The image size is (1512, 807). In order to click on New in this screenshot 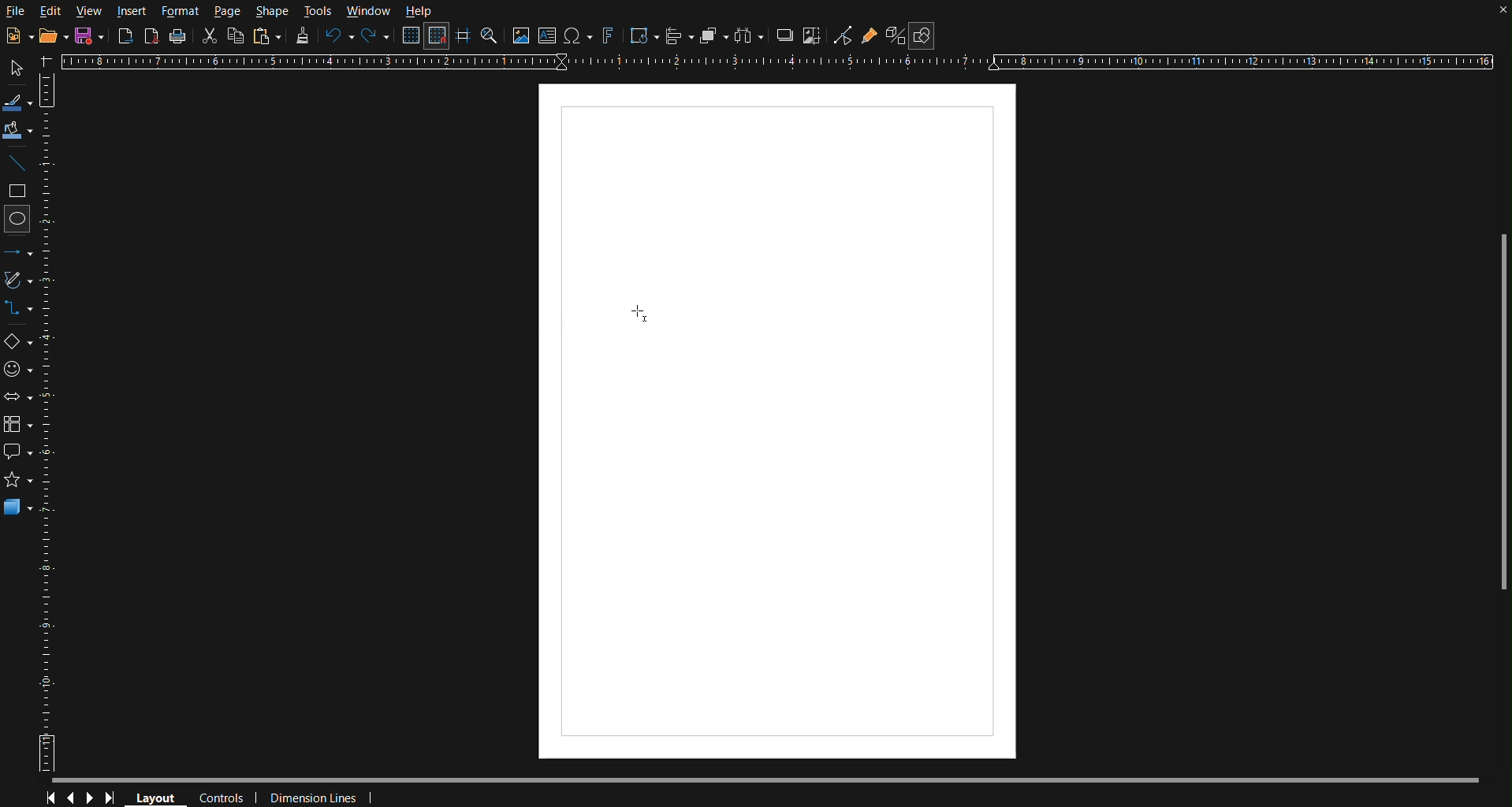, I will do `click(15, 33)`.